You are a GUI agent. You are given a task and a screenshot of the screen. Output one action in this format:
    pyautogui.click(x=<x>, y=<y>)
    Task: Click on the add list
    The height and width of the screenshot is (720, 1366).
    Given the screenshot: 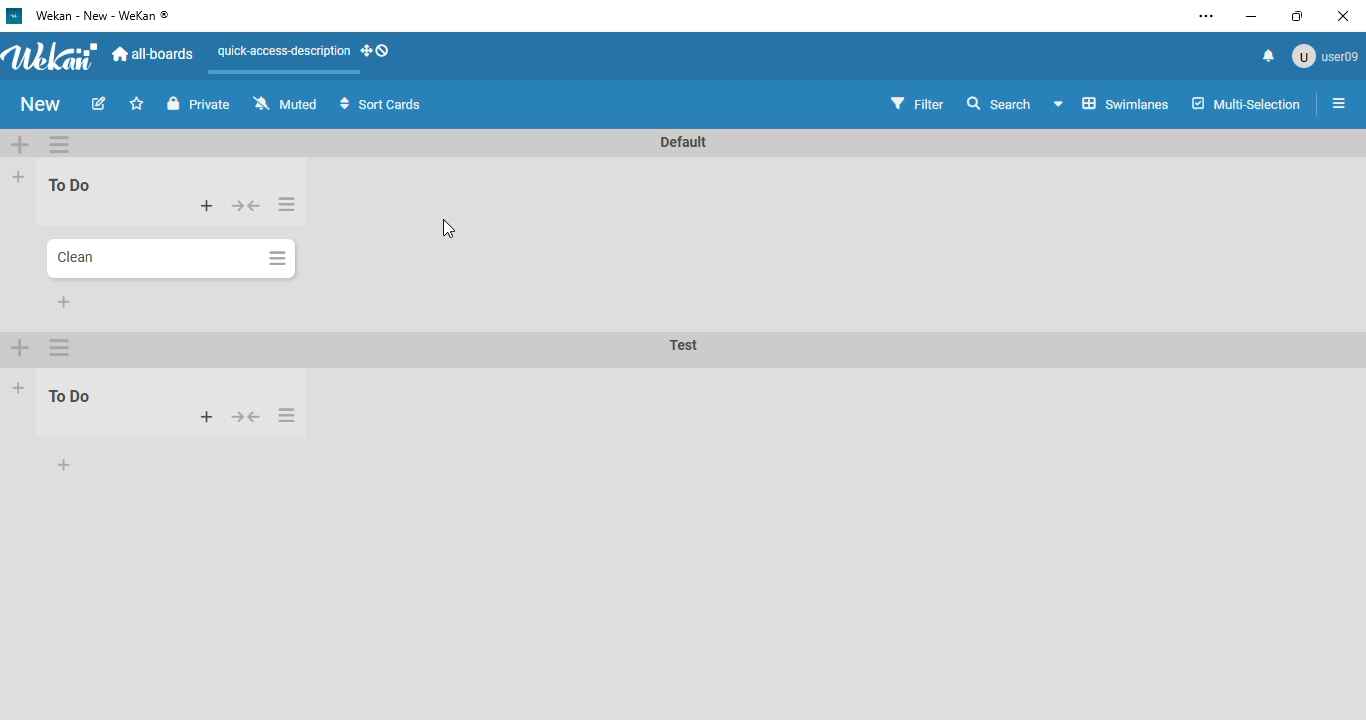 What is the action you would take?
    pyautogui.click(x=19, y=388)
    